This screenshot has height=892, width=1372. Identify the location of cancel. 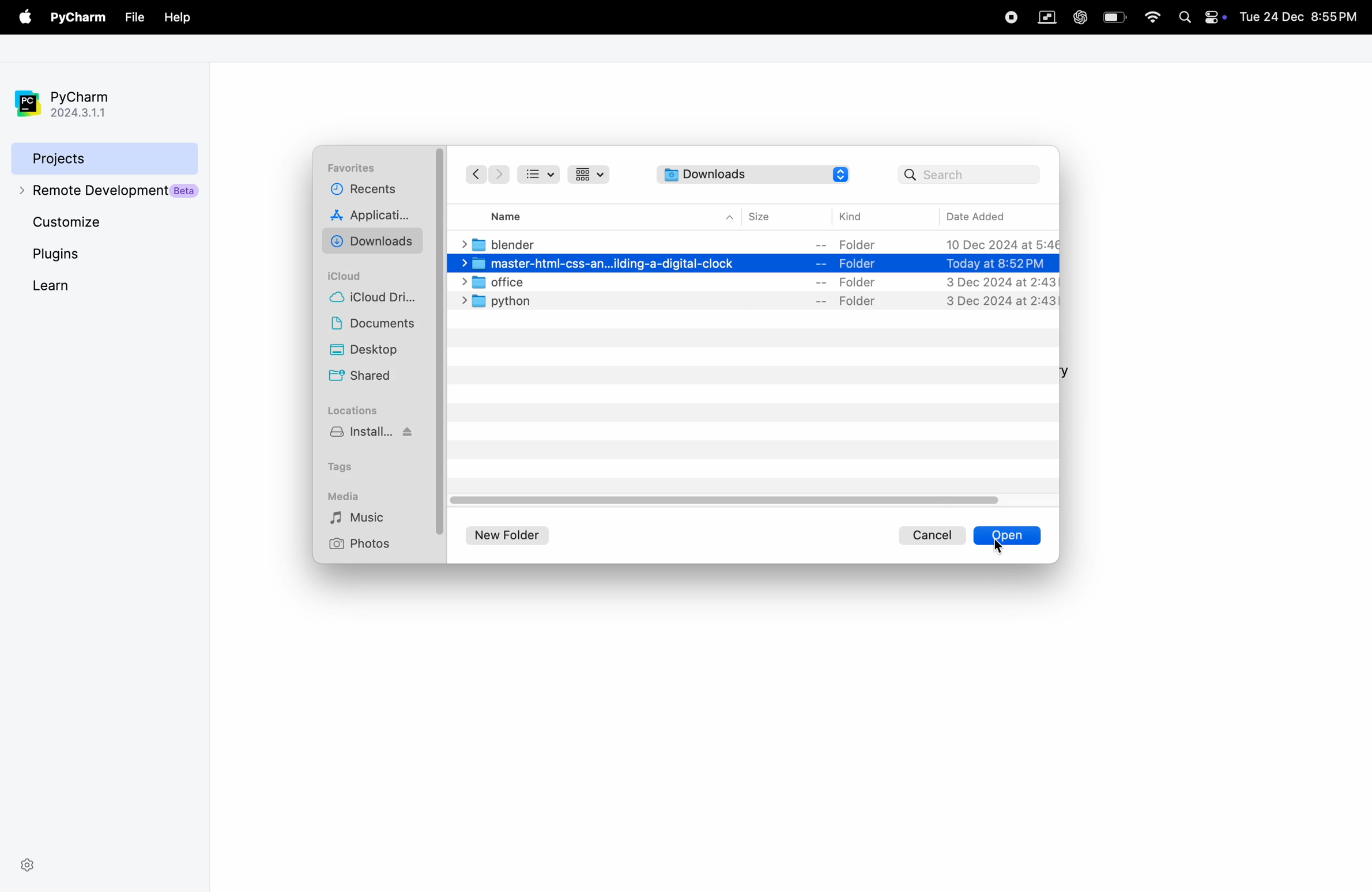
(933, 534).